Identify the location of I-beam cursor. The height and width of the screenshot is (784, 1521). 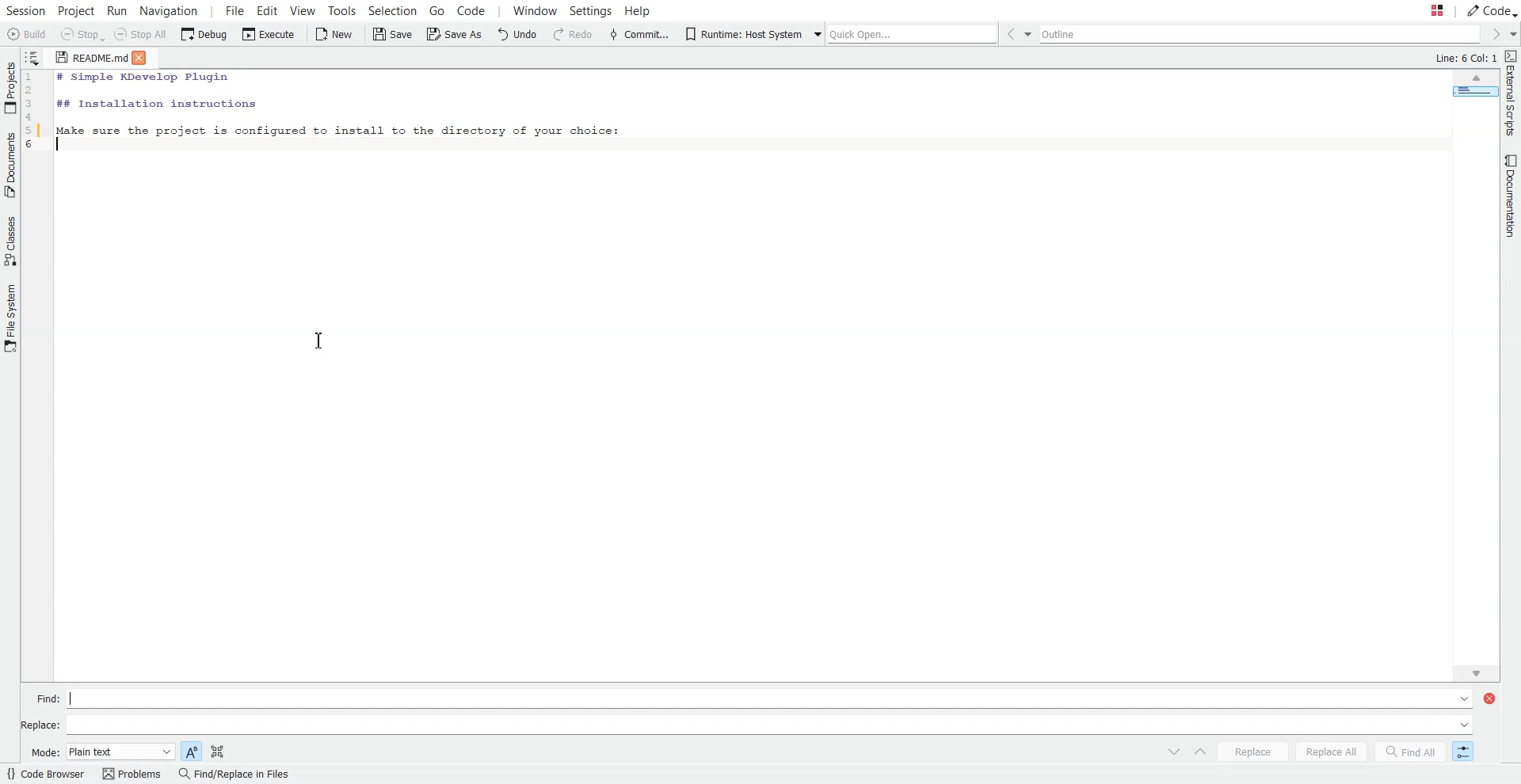
(321, 342).